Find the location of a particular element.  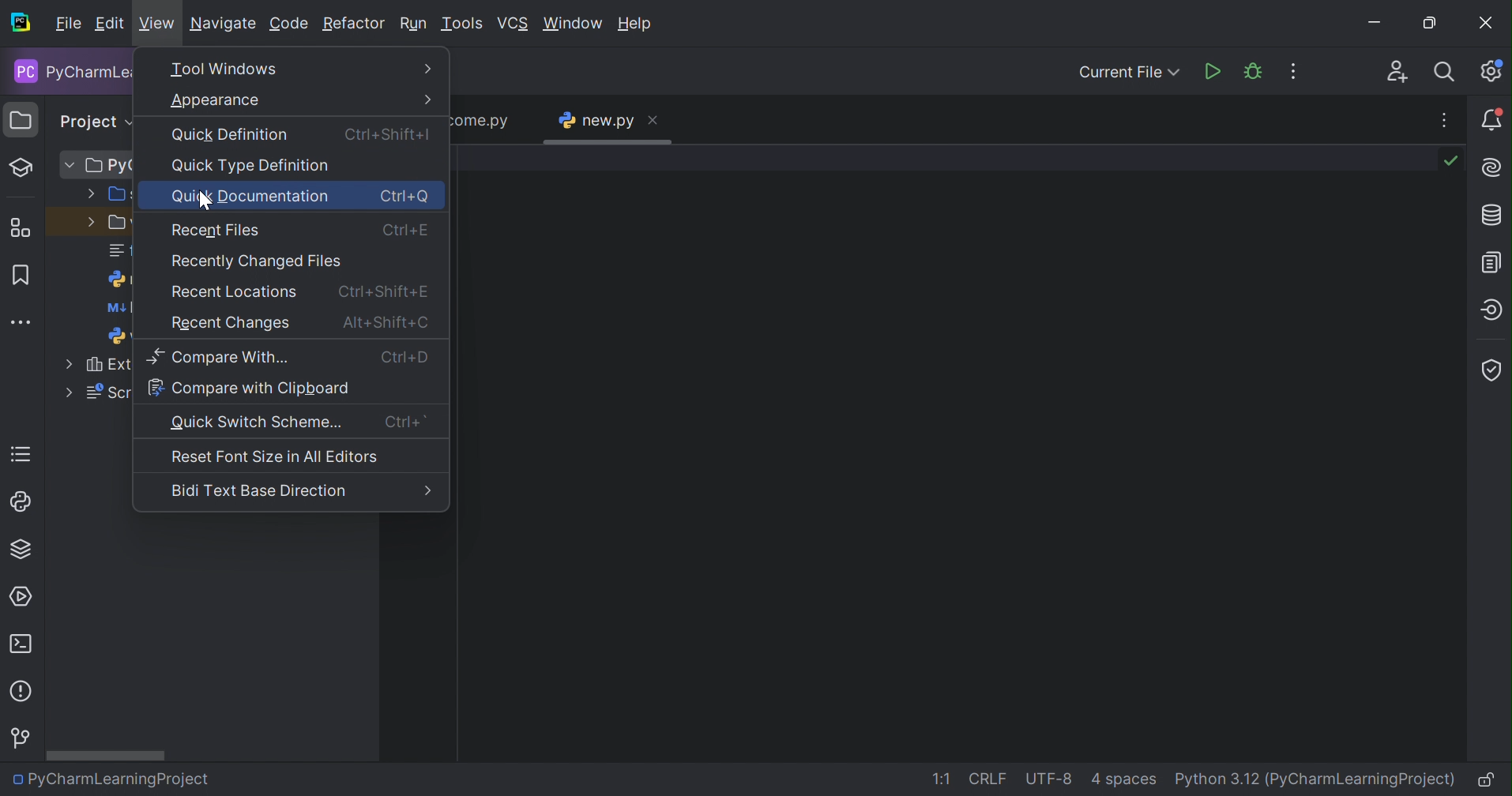

Project is located at coordinates (88, 119).